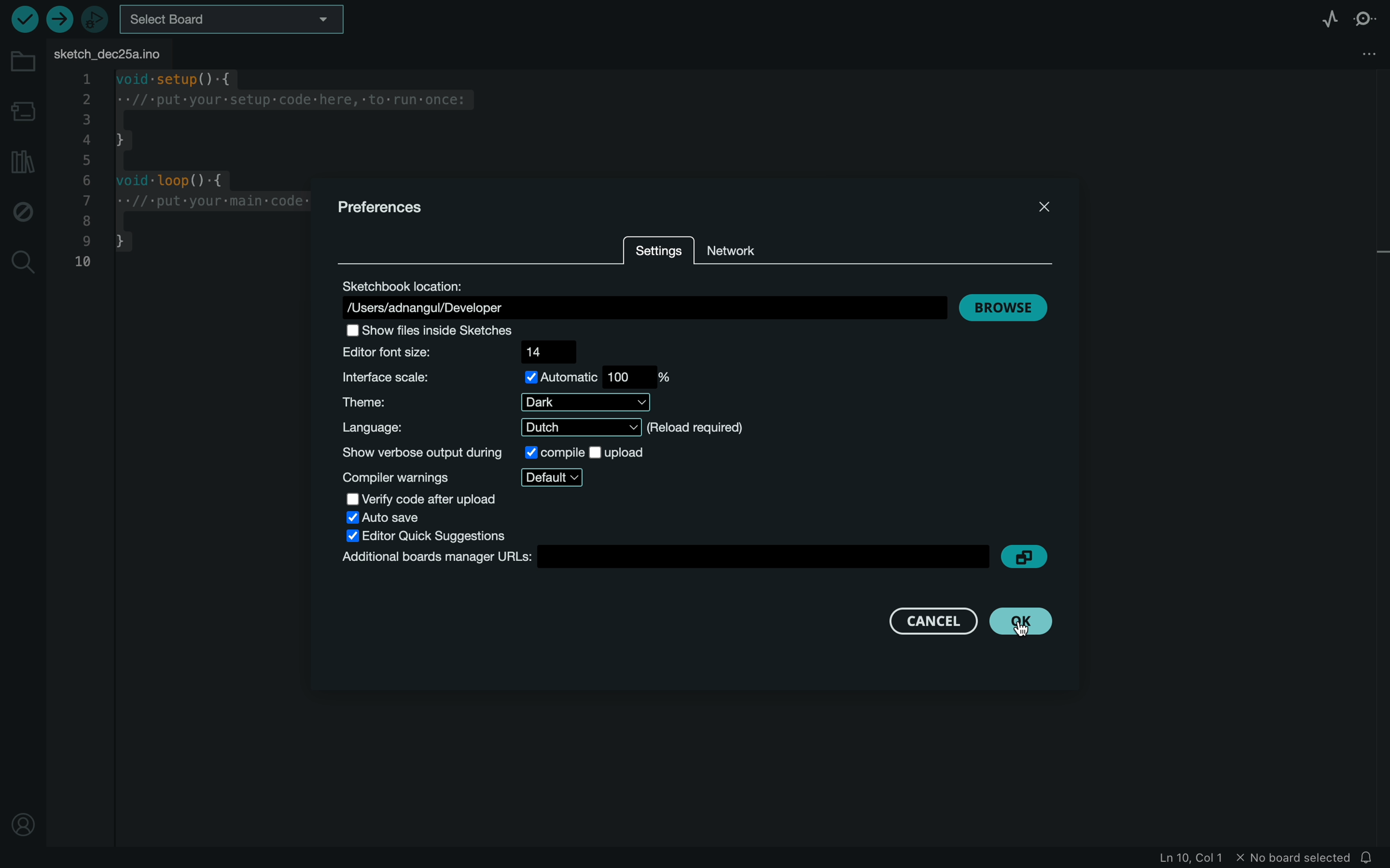  I want to click on editor  quick, so click(431, 536).